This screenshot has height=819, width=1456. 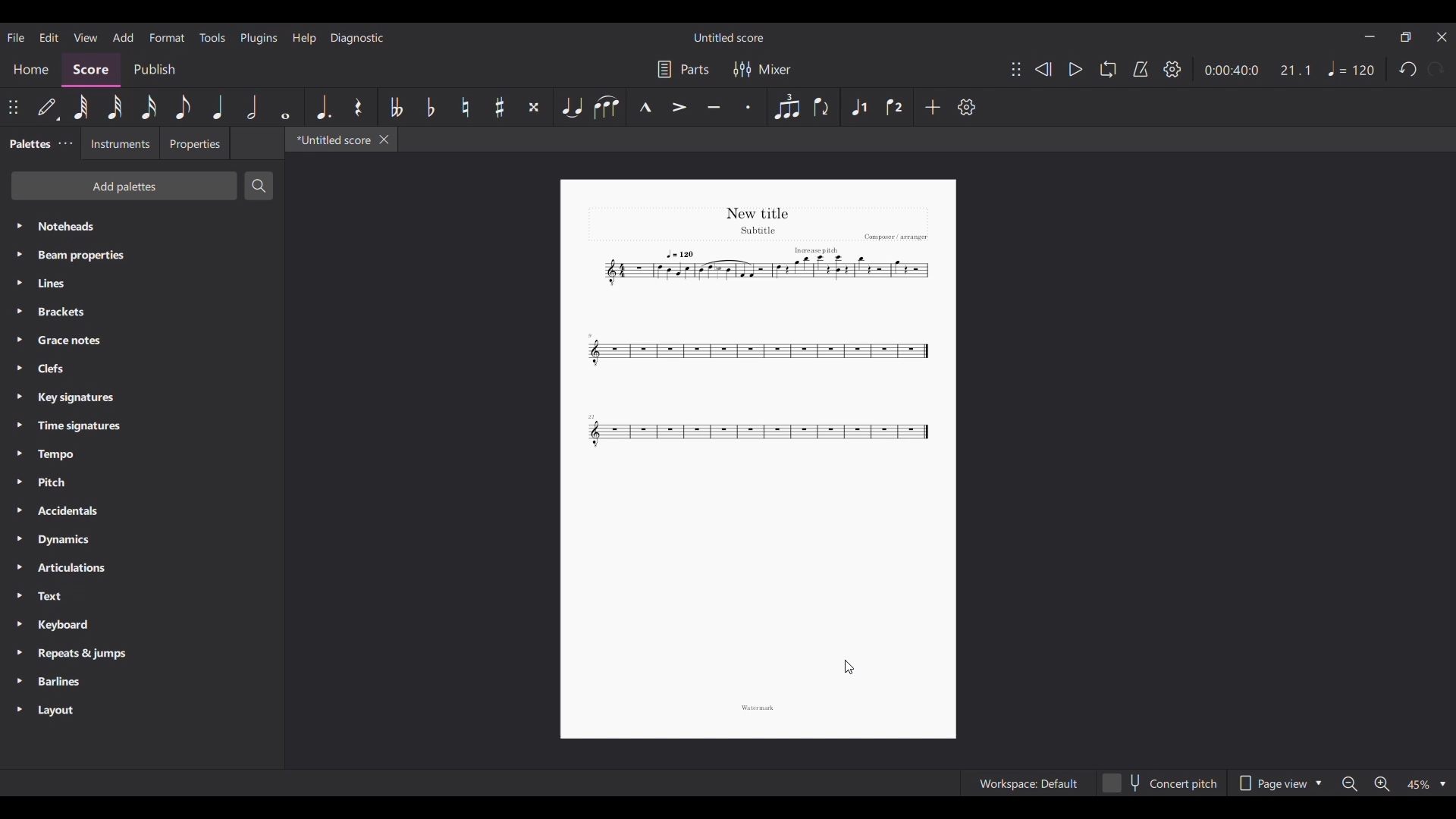 What do you see at coordinates (143, 482) in the screenshot?
I see `Pitch` at bounding box center [143, 482].